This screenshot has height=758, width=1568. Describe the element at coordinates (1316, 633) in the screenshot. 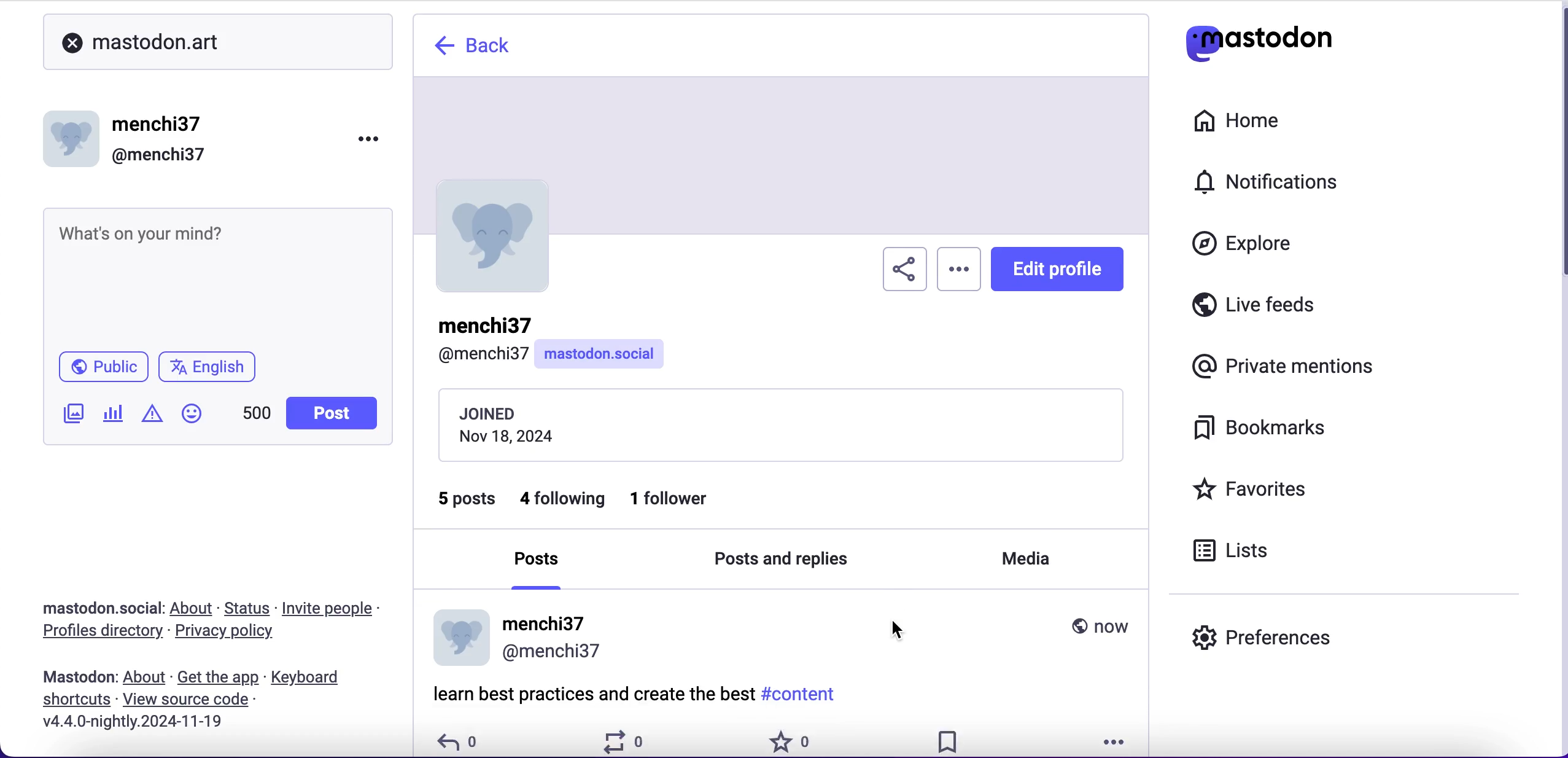

I see `preferences` at that location.